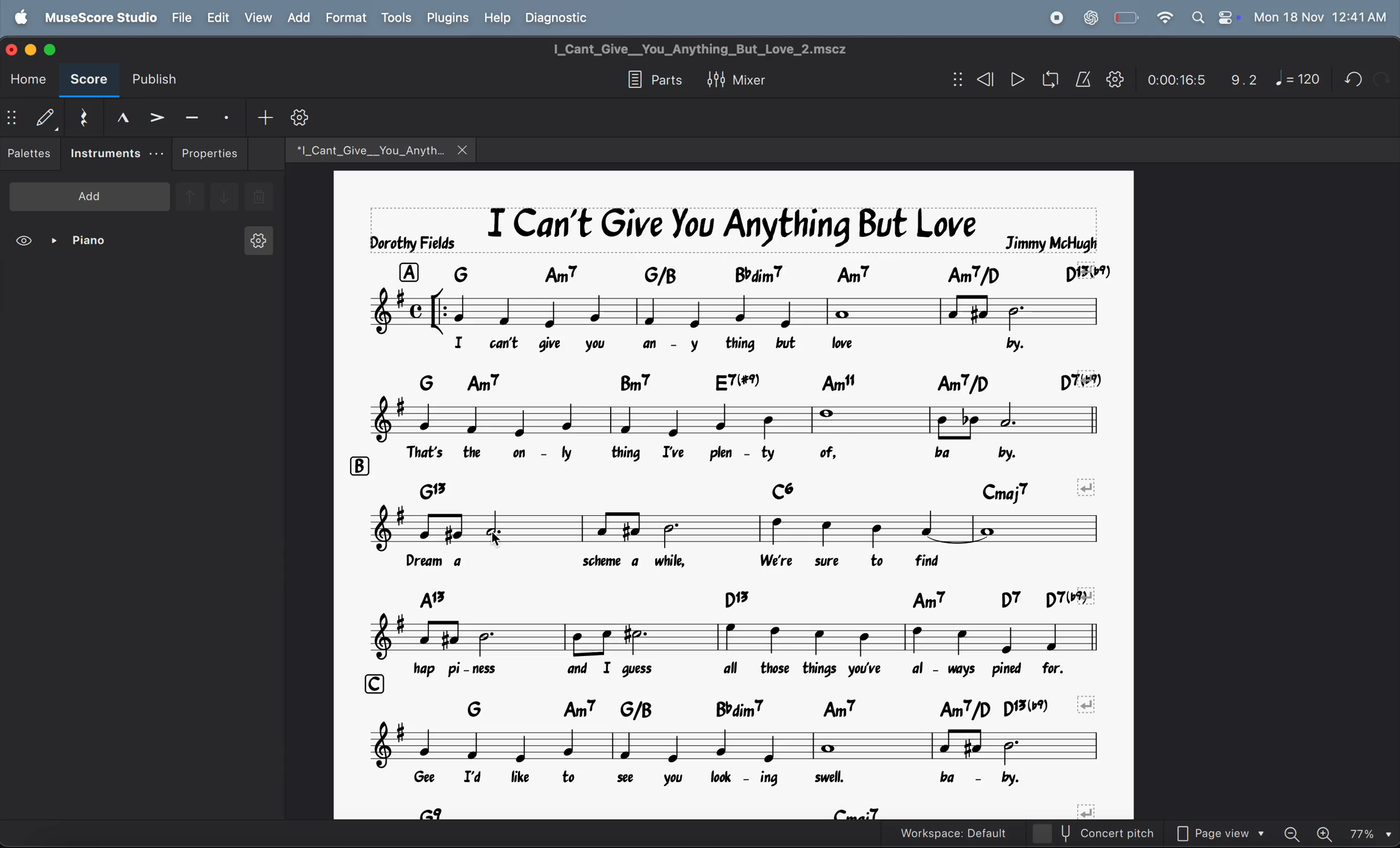  What do you see at coordinates (756, 778) in the screenshot?
I see `lyrics` at bounding box center [756, 778].